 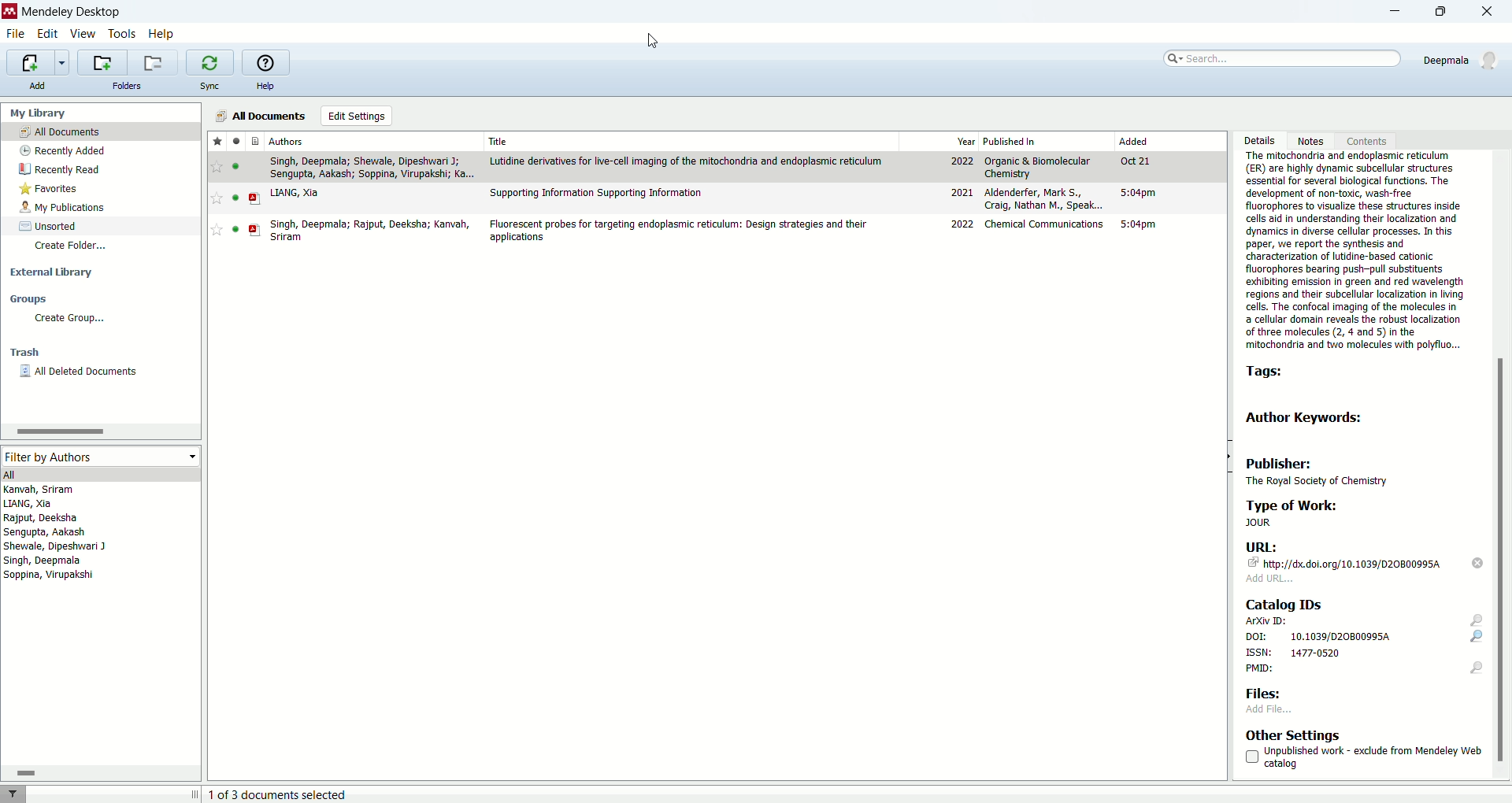 What do you see at coordinates (101, 62) in the screenshot?
I see `create a new folder` at bounding box center [101, 62].